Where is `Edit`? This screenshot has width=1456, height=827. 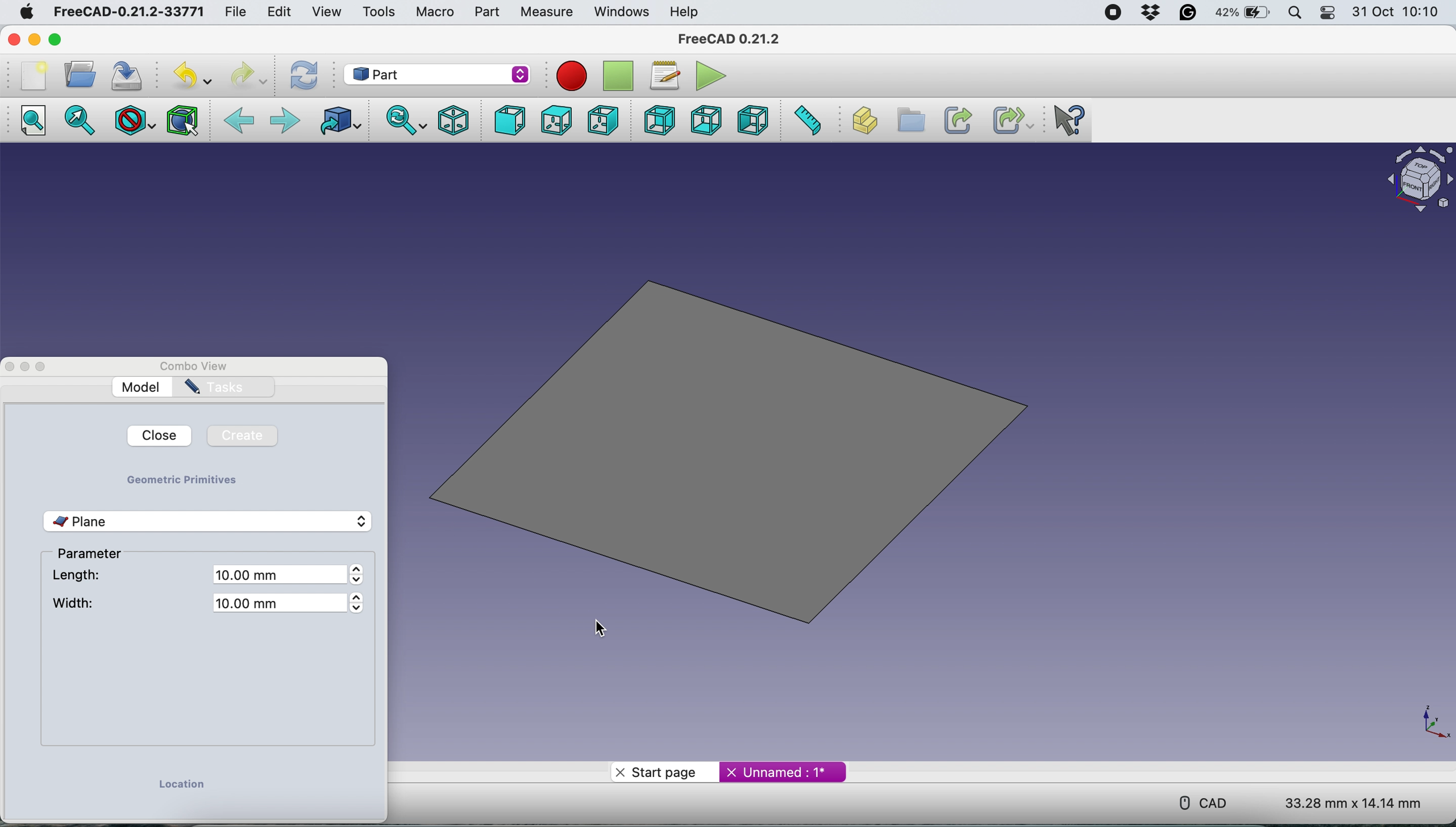 Edit is located at coordinates (281, 13).